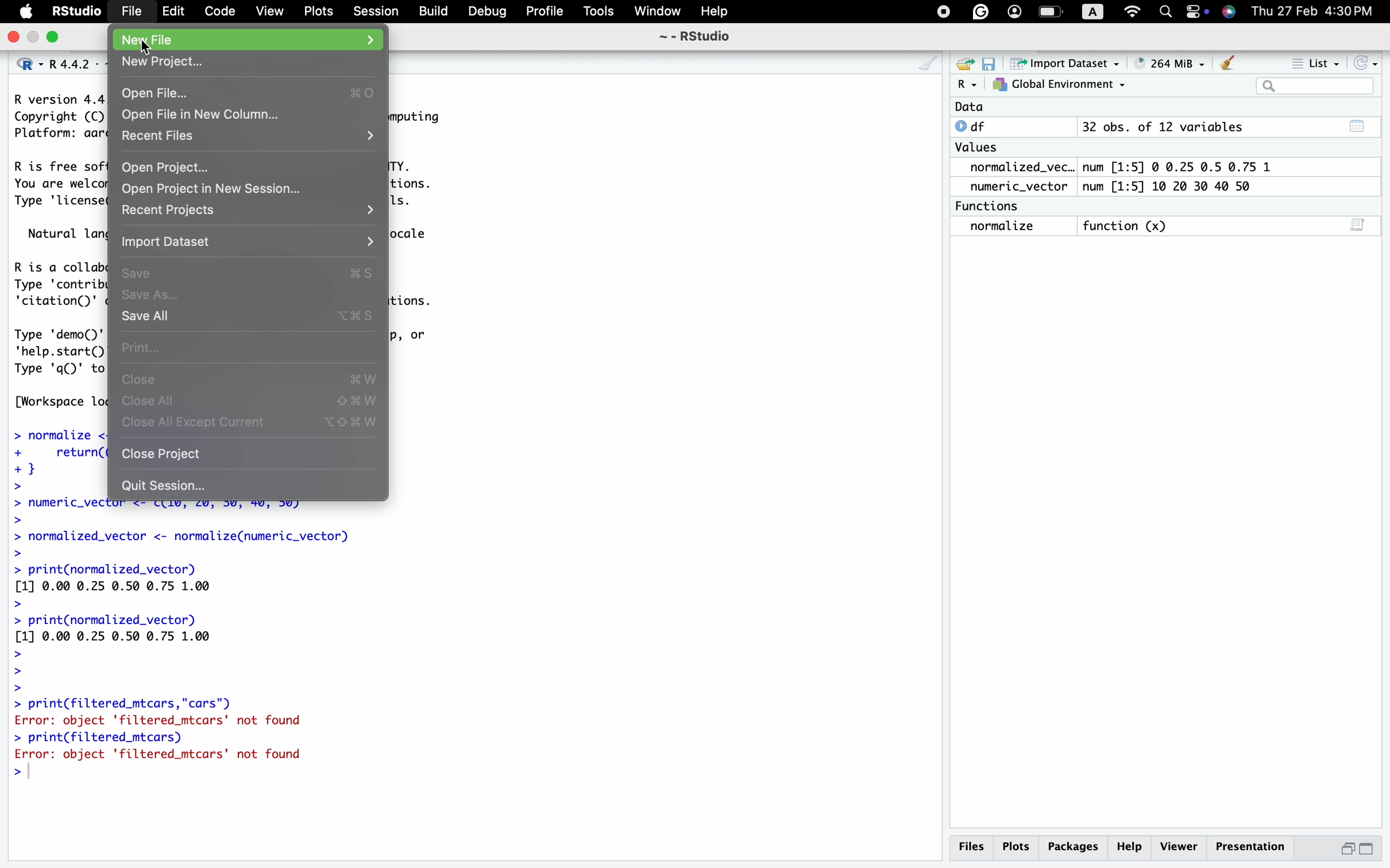  Describe the element at coordinates (433, 11) in the screenshot. I see `build` at that location.